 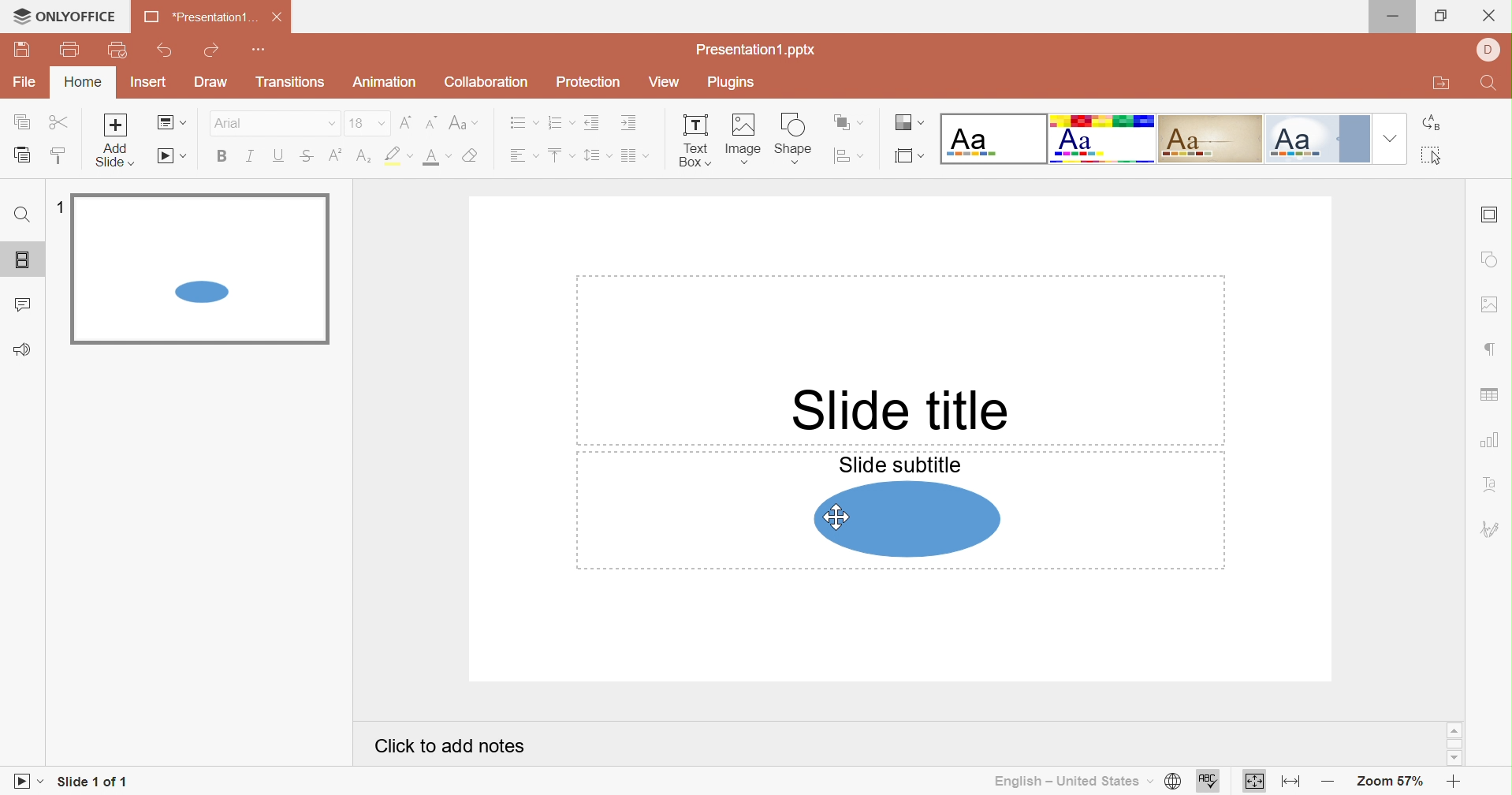 I want to click on Scroll down, so click(x=1454, y=760).